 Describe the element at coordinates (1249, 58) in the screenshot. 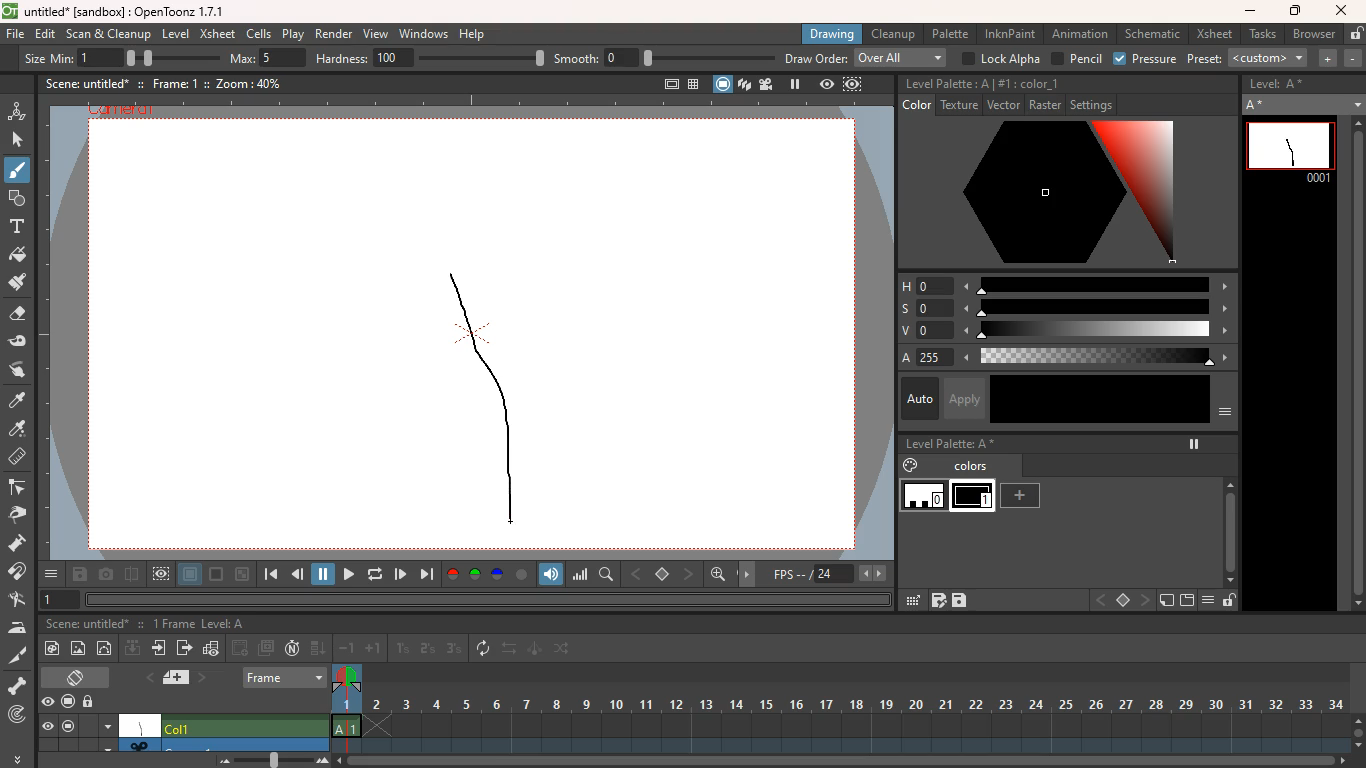

I see `preset:` at that location.